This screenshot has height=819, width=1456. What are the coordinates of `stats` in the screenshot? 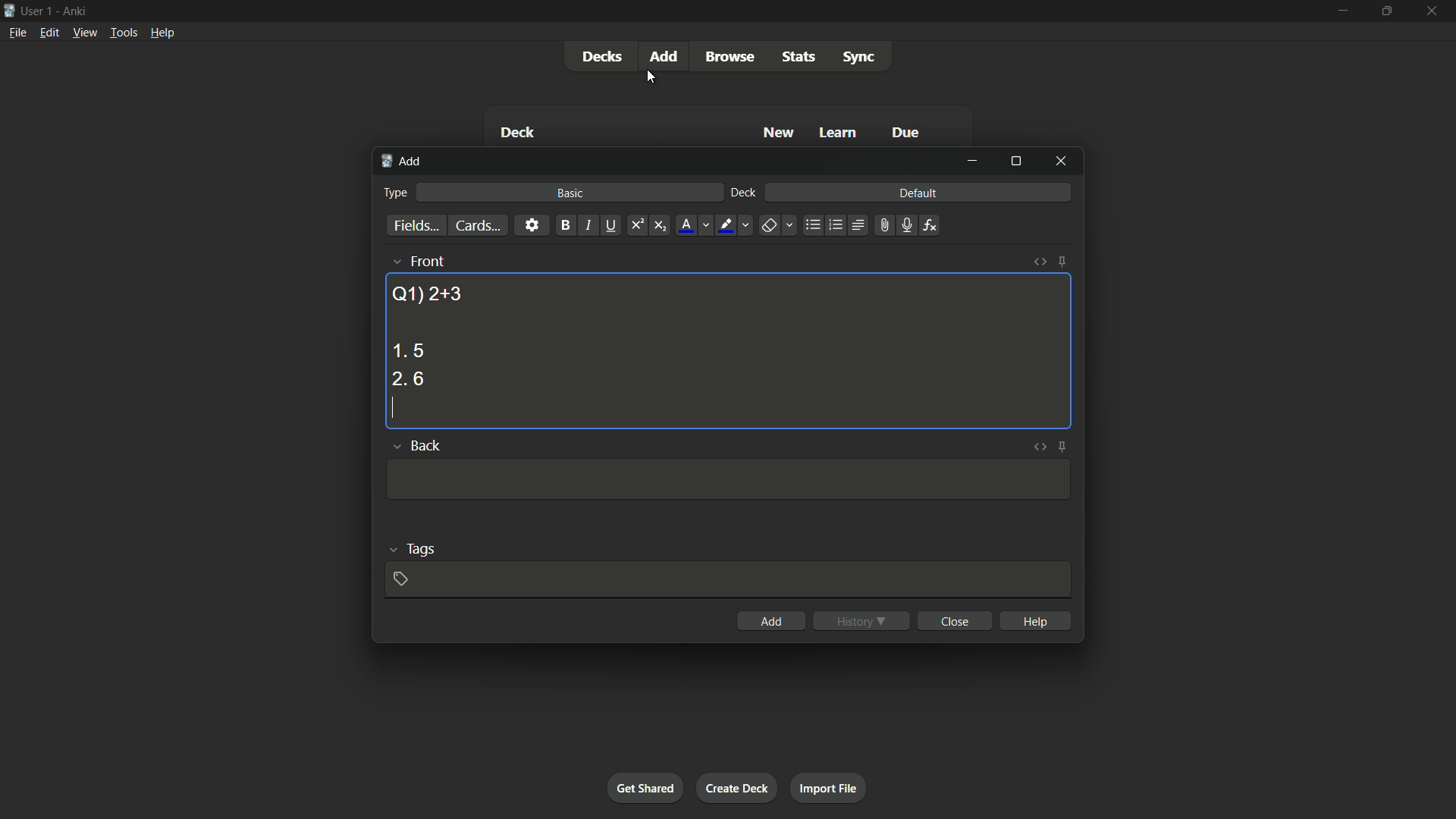 It's located at (800, 57).